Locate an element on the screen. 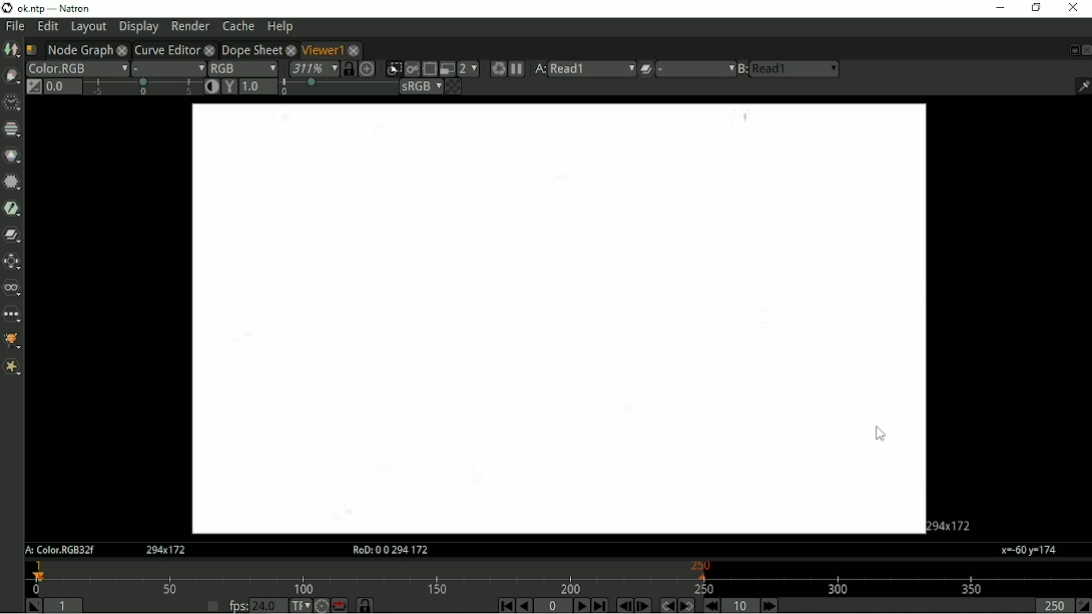 Image resolution: width=1092 pixels, height=614 pixels. Viewer color process is located at coordinates (421, 87).